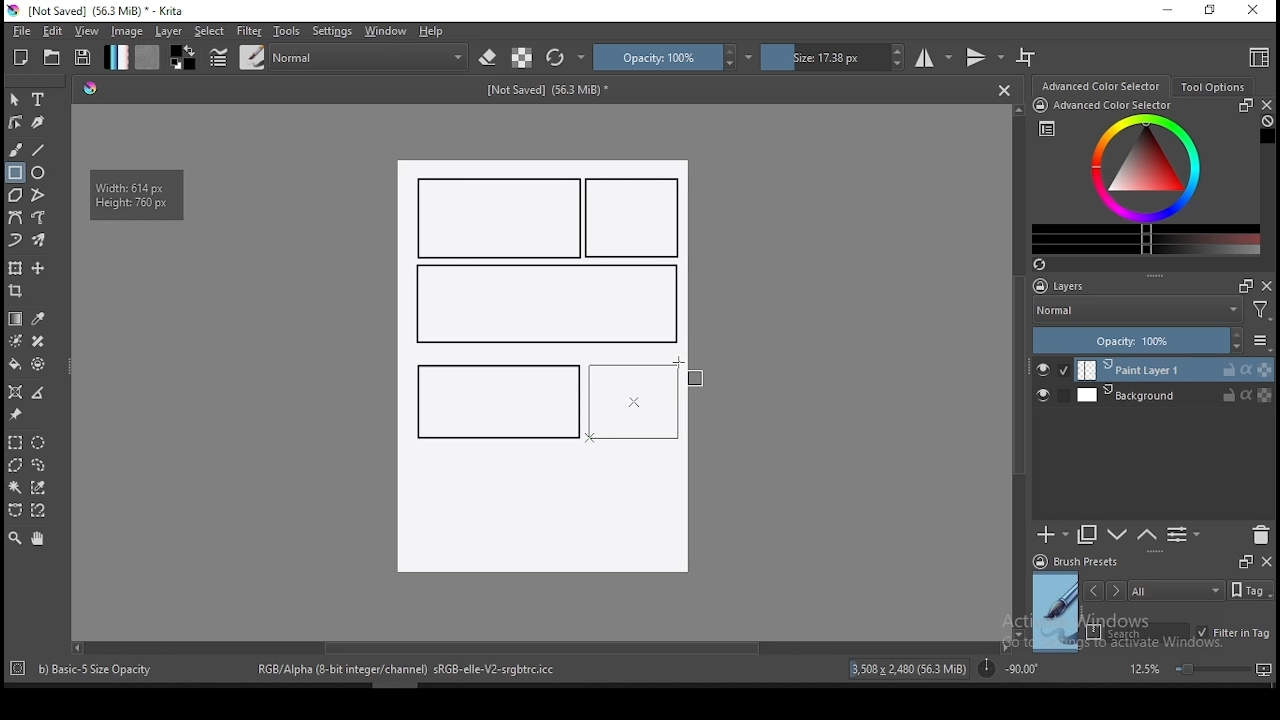 This screenshot has width=1280, height=720. I want to click on new, so click(21, 57).